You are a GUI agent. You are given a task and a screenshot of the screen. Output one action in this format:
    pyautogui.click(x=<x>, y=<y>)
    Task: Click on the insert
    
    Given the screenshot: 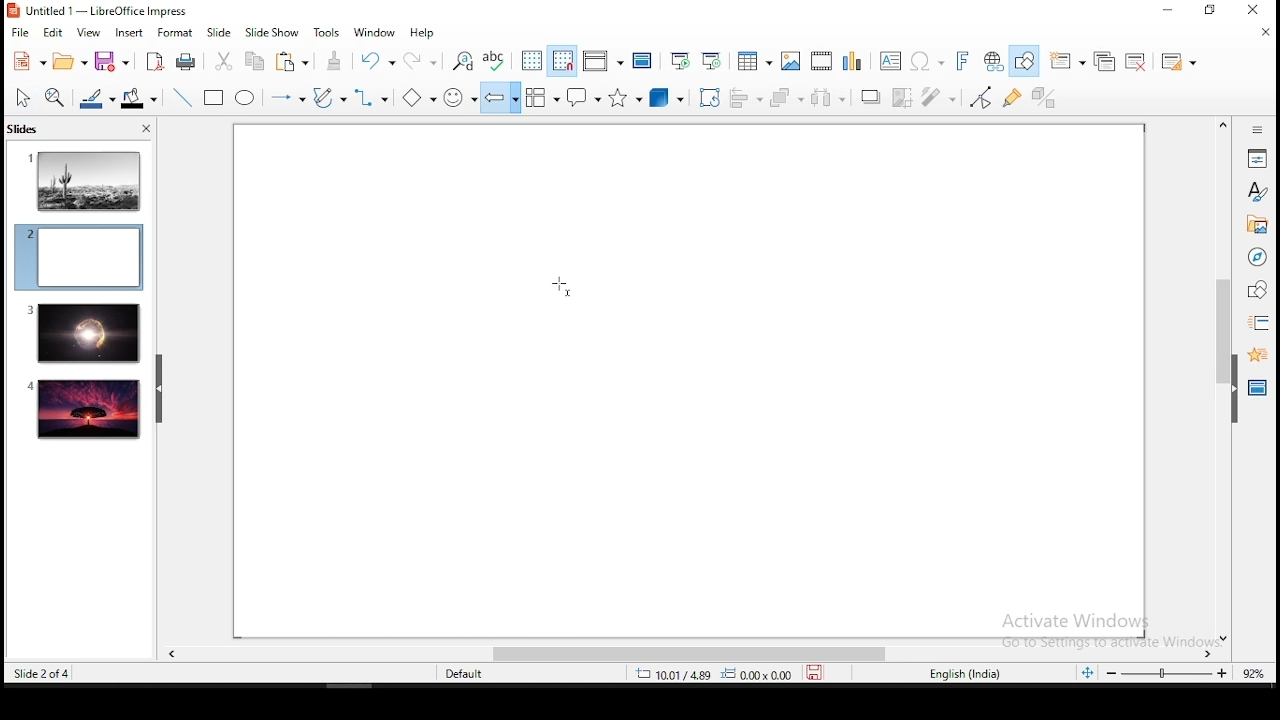 What is the action you would take?
    pyautogui.click(x=128, y=33)
    